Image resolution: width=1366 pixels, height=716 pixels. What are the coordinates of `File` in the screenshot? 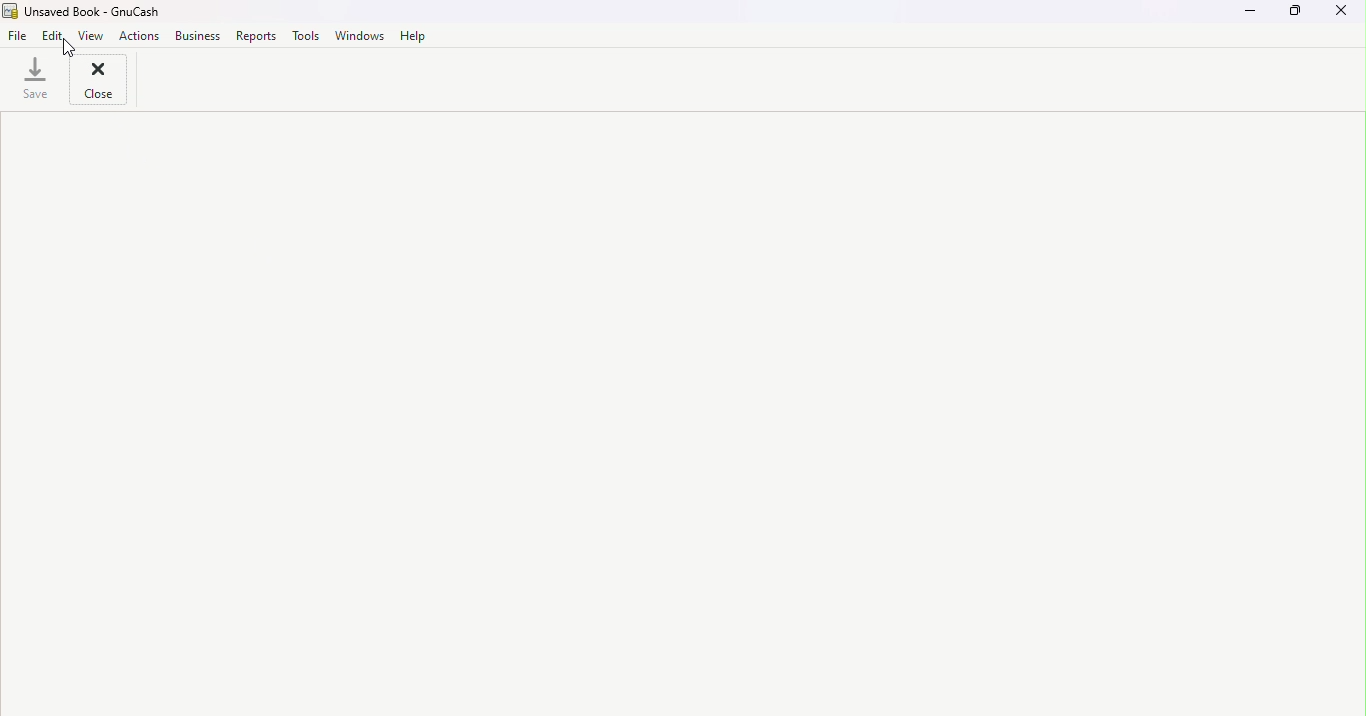 It's located at (17, 36).